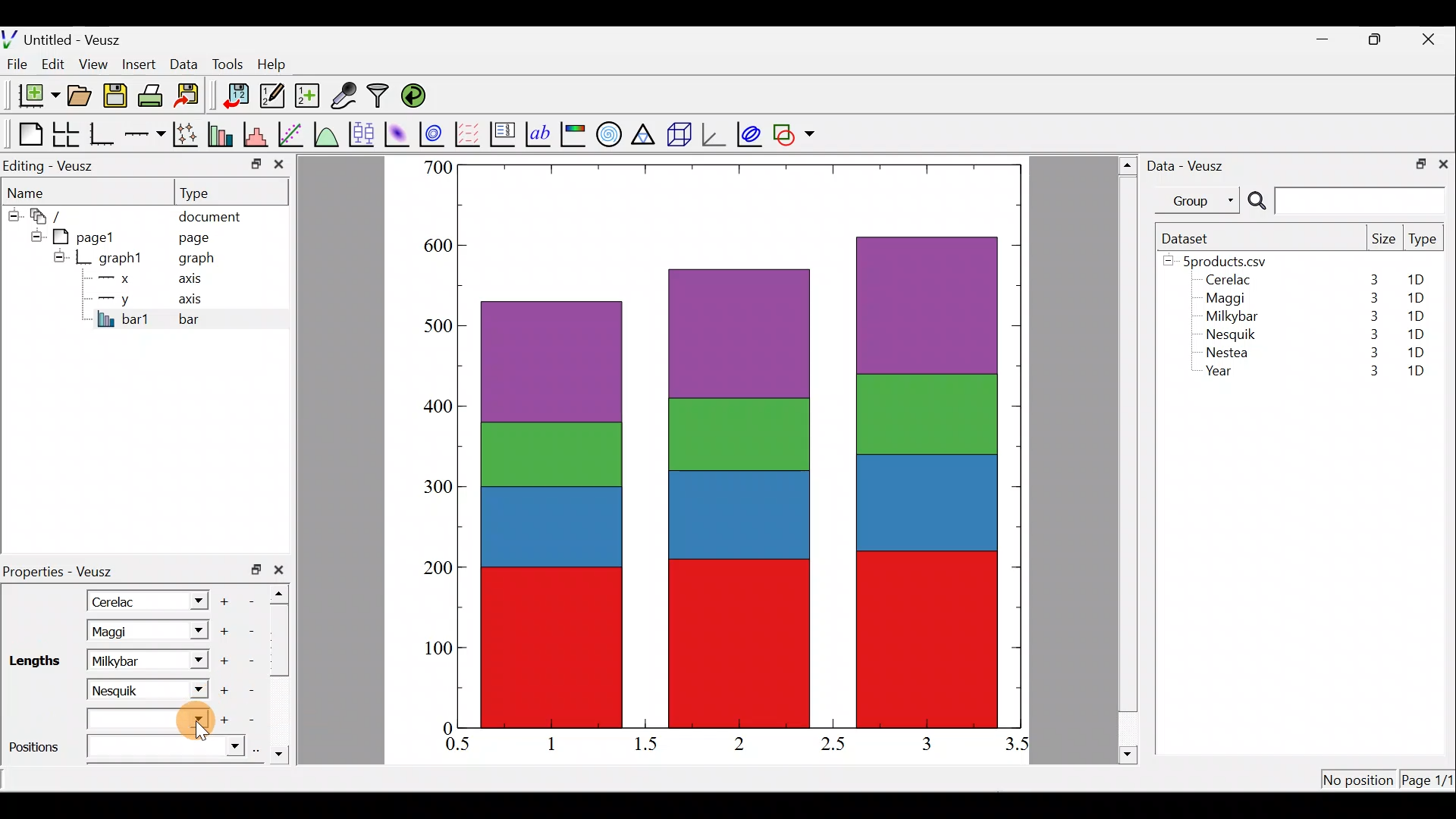 The image size is (1456, 819). Describe the element at coordinates (52, 165) in the screenshot. I see `Editing - Veusz` at that location.